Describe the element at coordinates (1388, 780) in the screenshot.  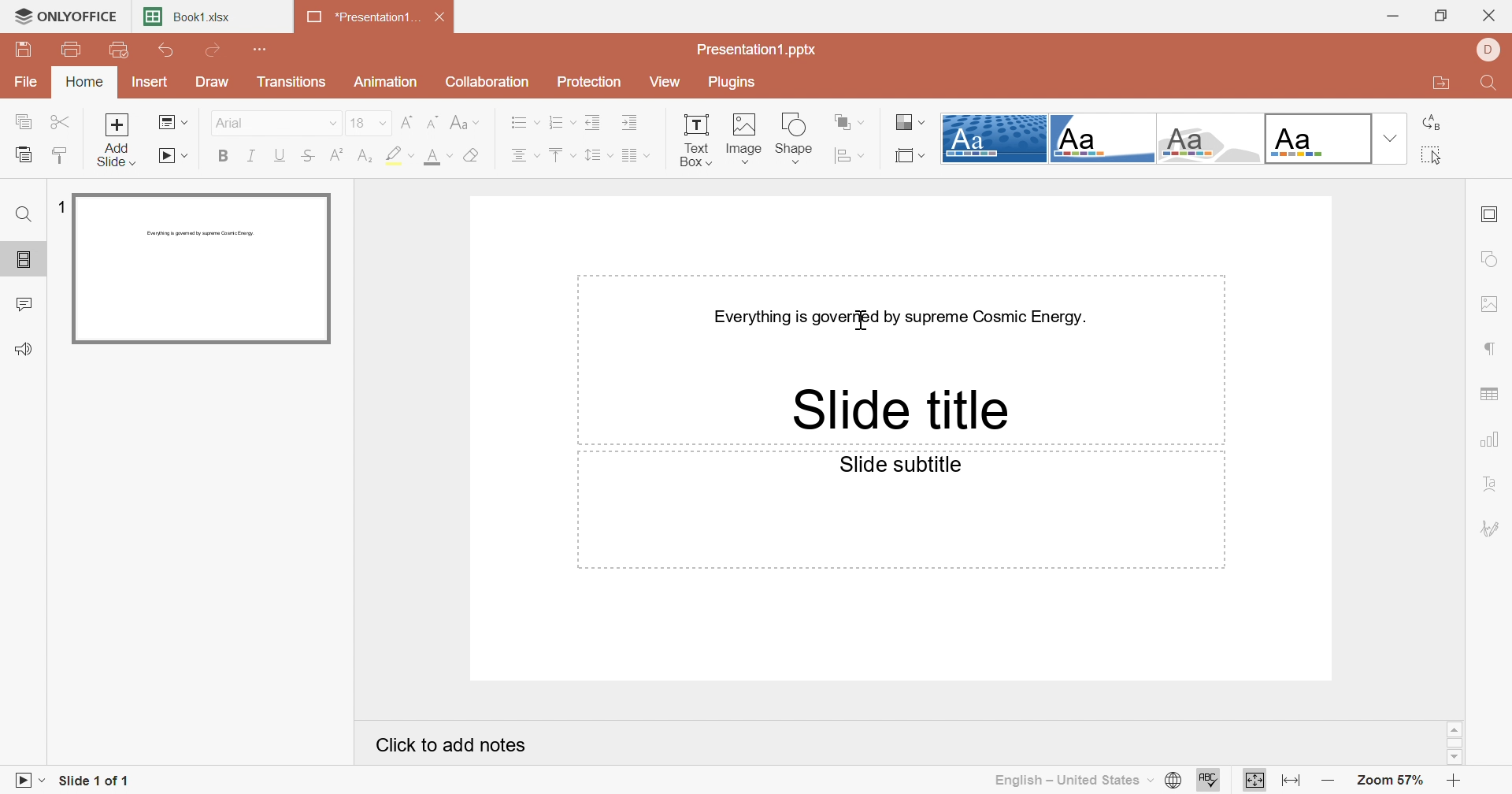
I see `Zoom 57%` at that location.